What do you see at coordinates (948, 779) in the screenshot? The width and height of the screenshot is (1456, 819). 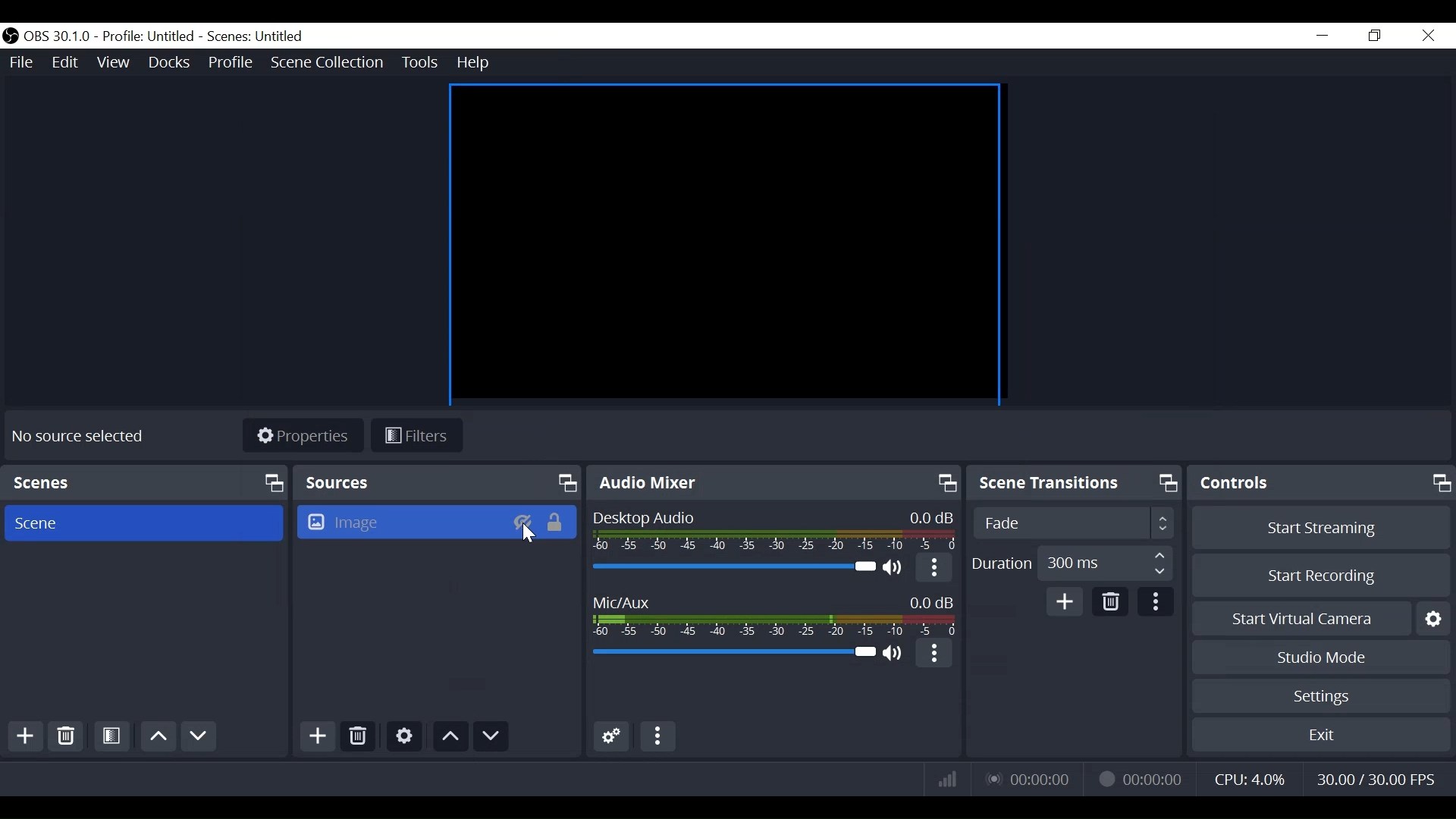 I see `Bitrate` at bounding box center [948, 779].